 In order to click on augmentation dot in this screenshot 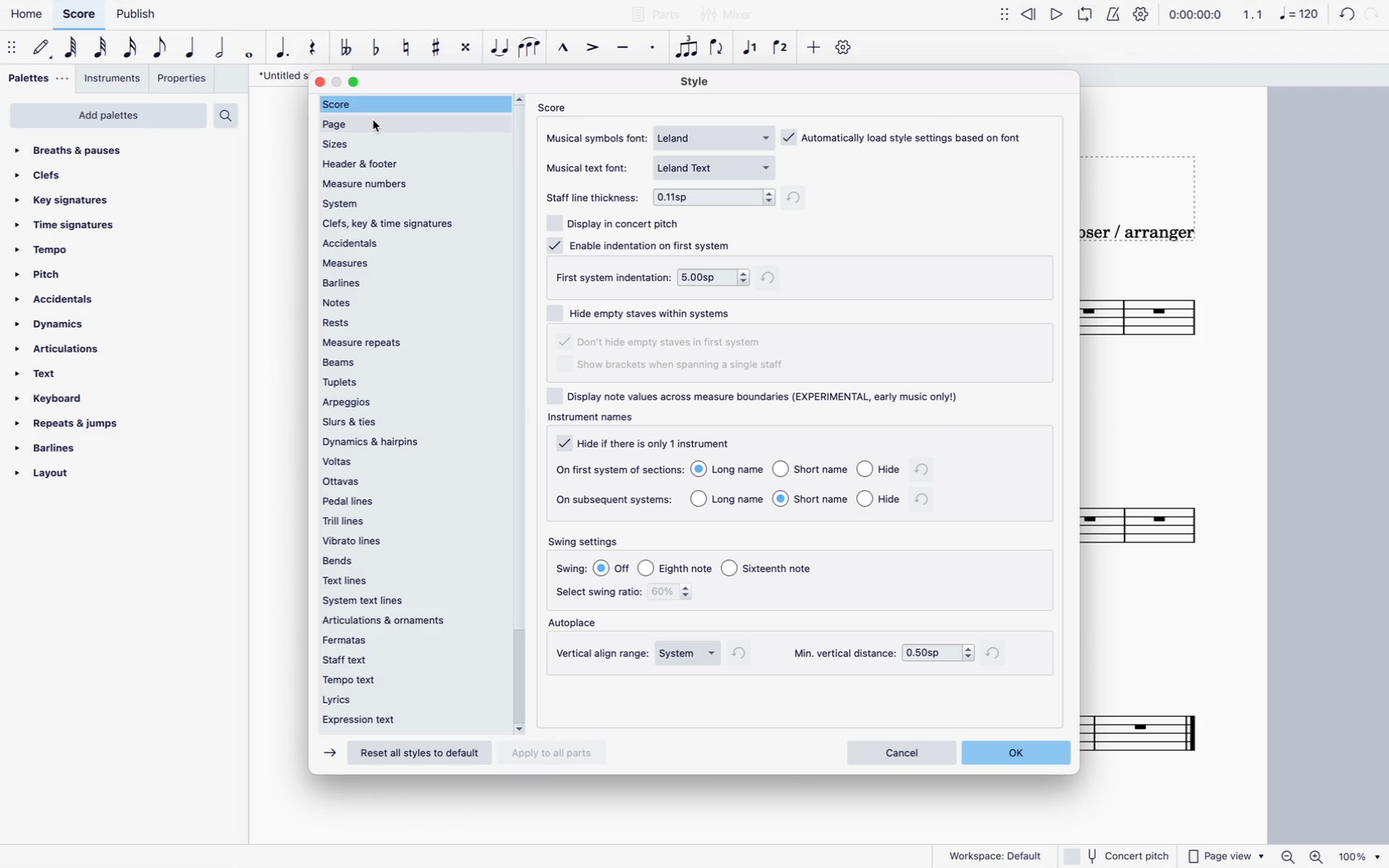, I will do `click(283, 50)`.